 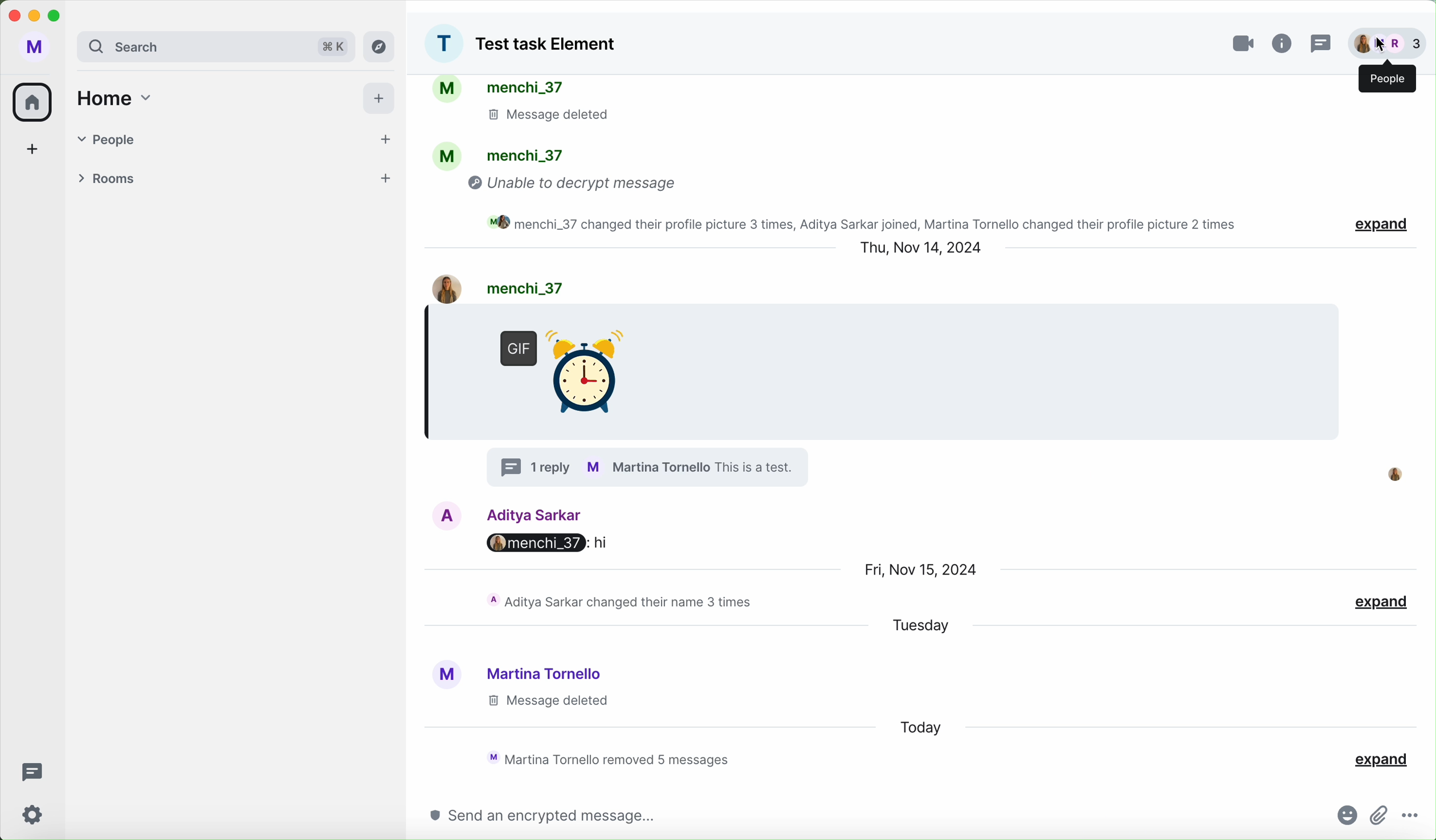 I want to click on more options, so click(x=1411, y=817).